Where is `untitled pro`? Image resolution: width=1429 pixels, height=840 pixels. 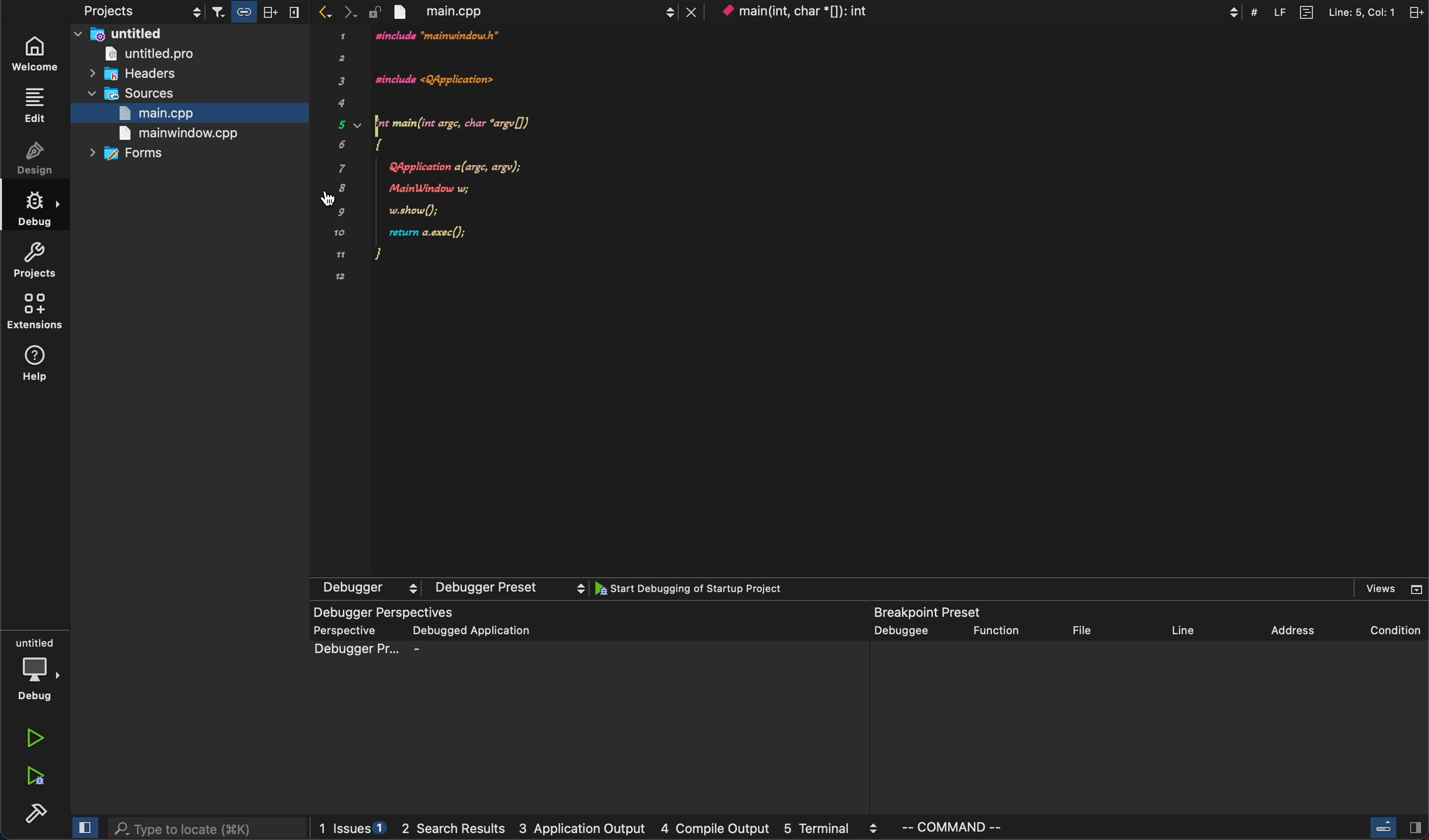
untitled pro is located at coordinates (172, 54).